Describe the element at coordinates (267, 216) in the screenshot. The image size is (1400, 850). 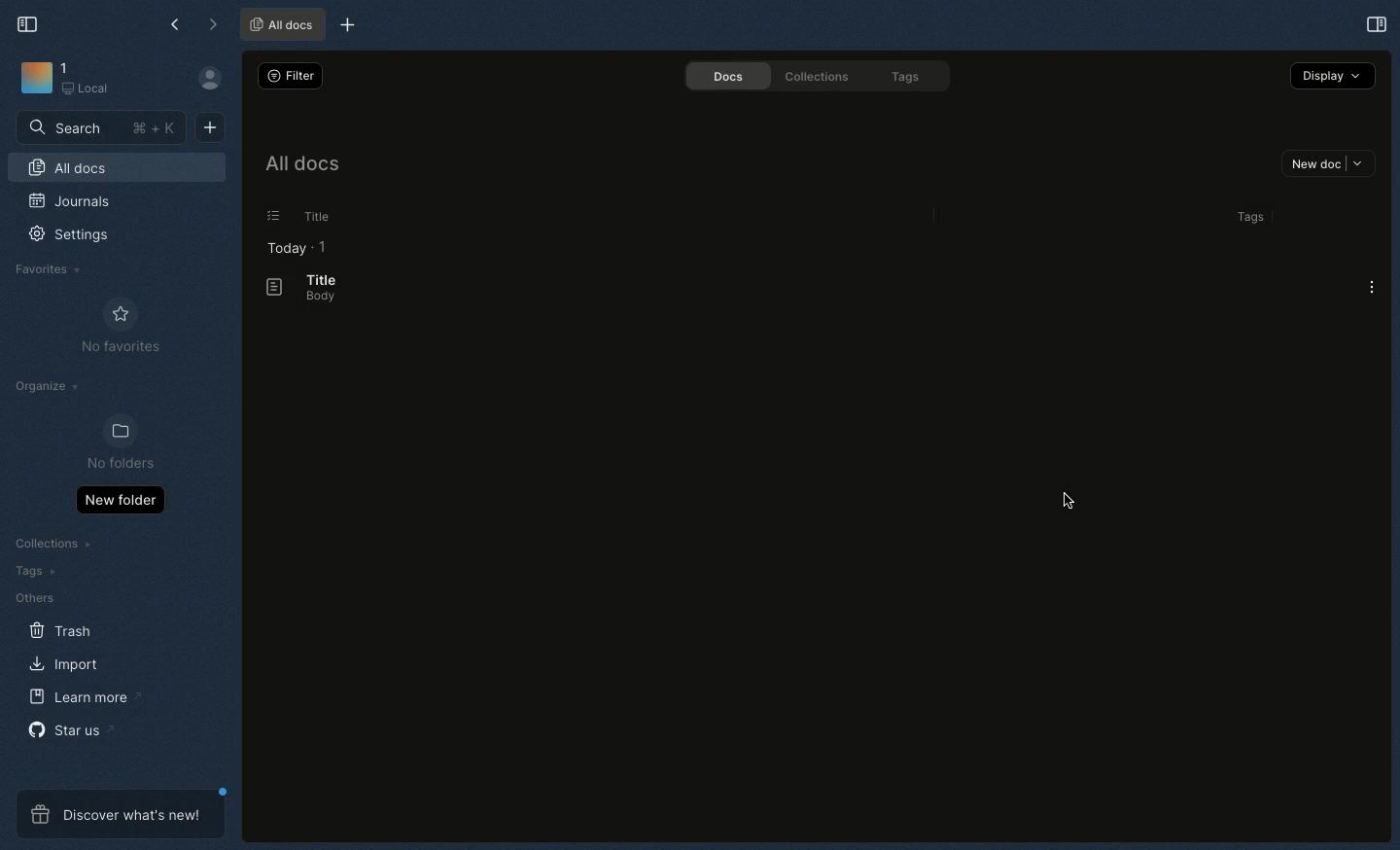
I see `Lists` at that location.